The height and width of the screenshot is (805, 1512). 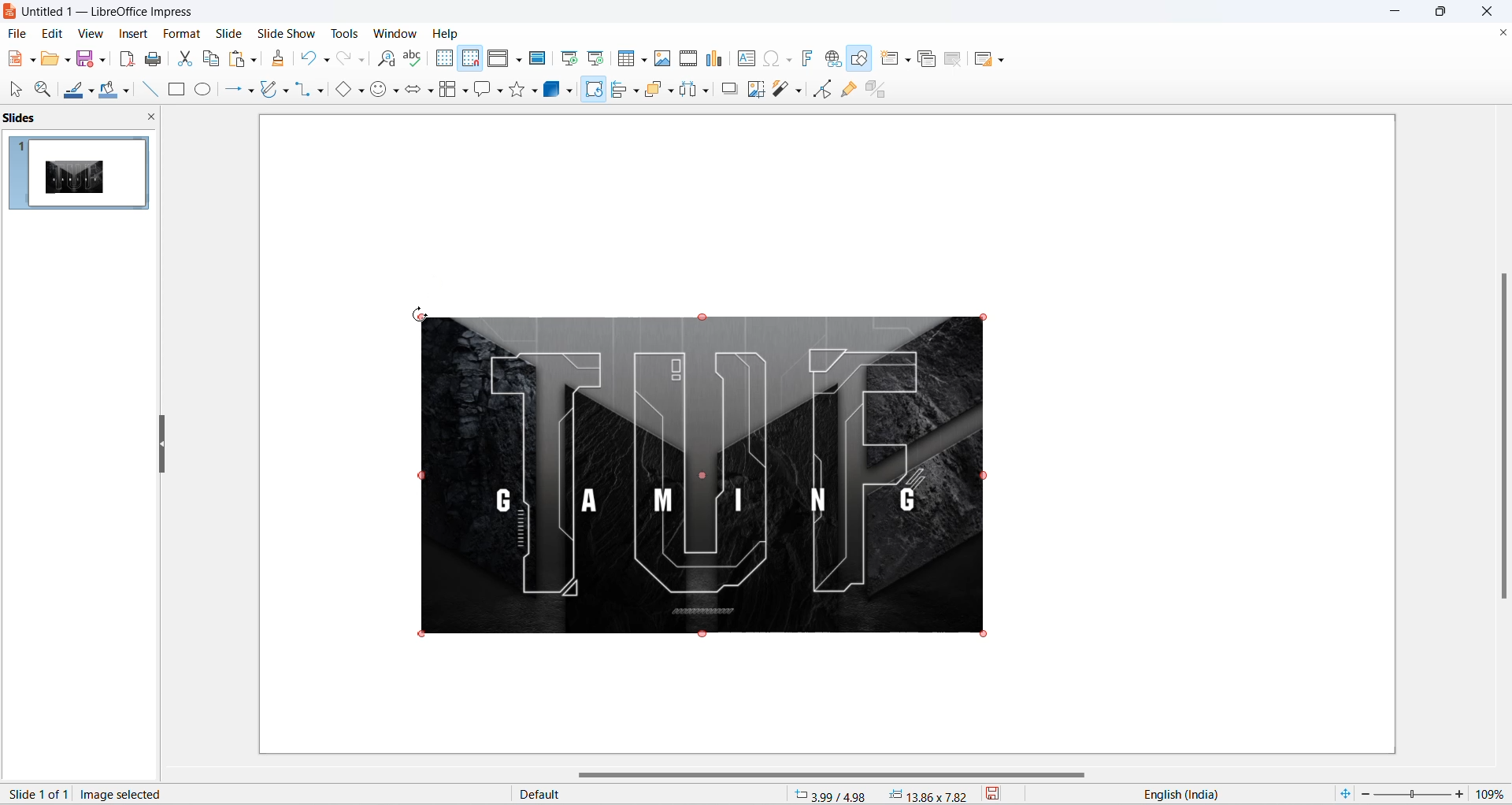 What do you see at coordinates (781, 91) in the screenshot?
I see `filter` at bounding box center [781, 91].